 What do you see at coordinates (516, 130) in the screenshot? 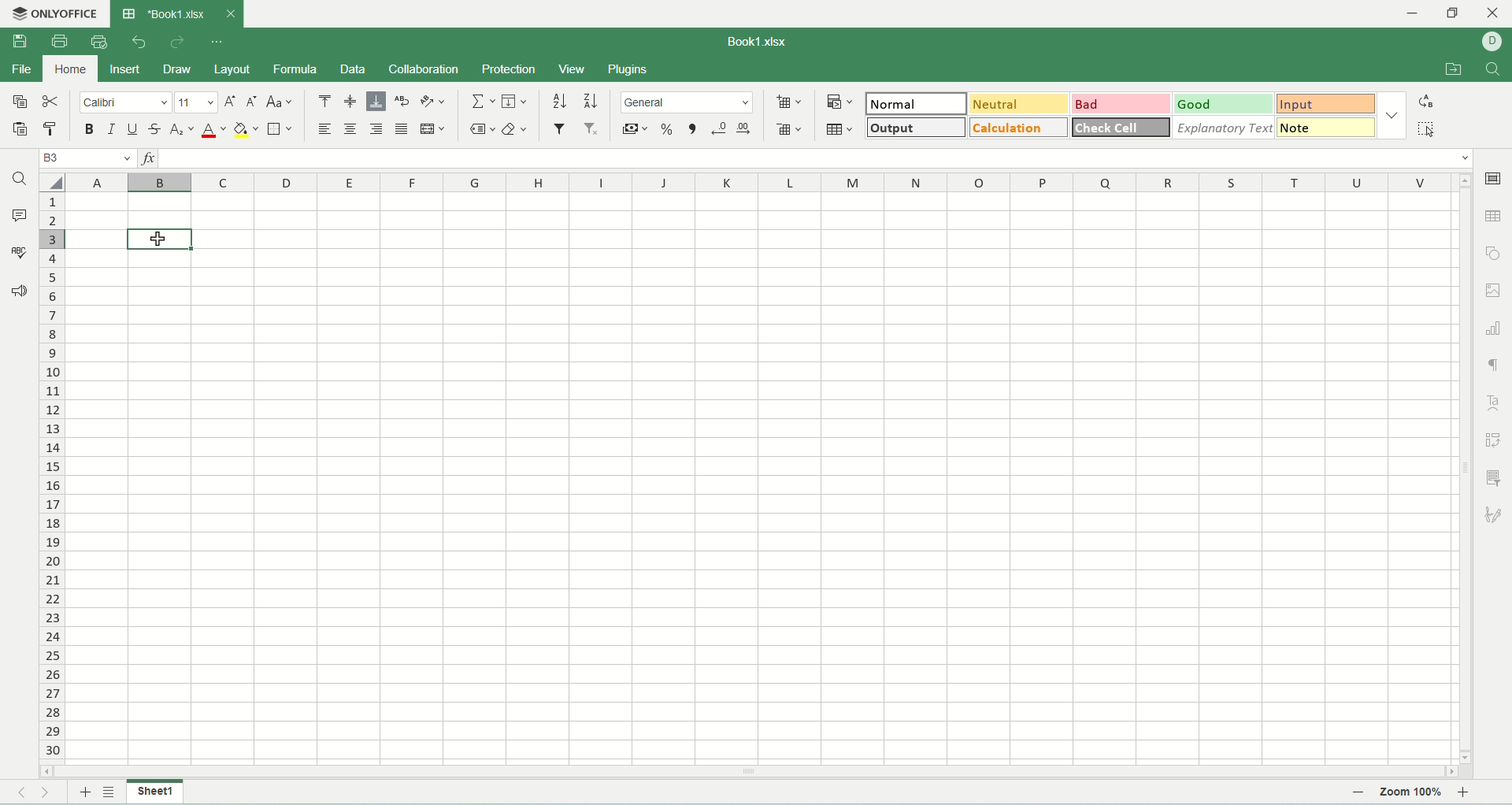
I see `clear` at bounding box center [516, 130].